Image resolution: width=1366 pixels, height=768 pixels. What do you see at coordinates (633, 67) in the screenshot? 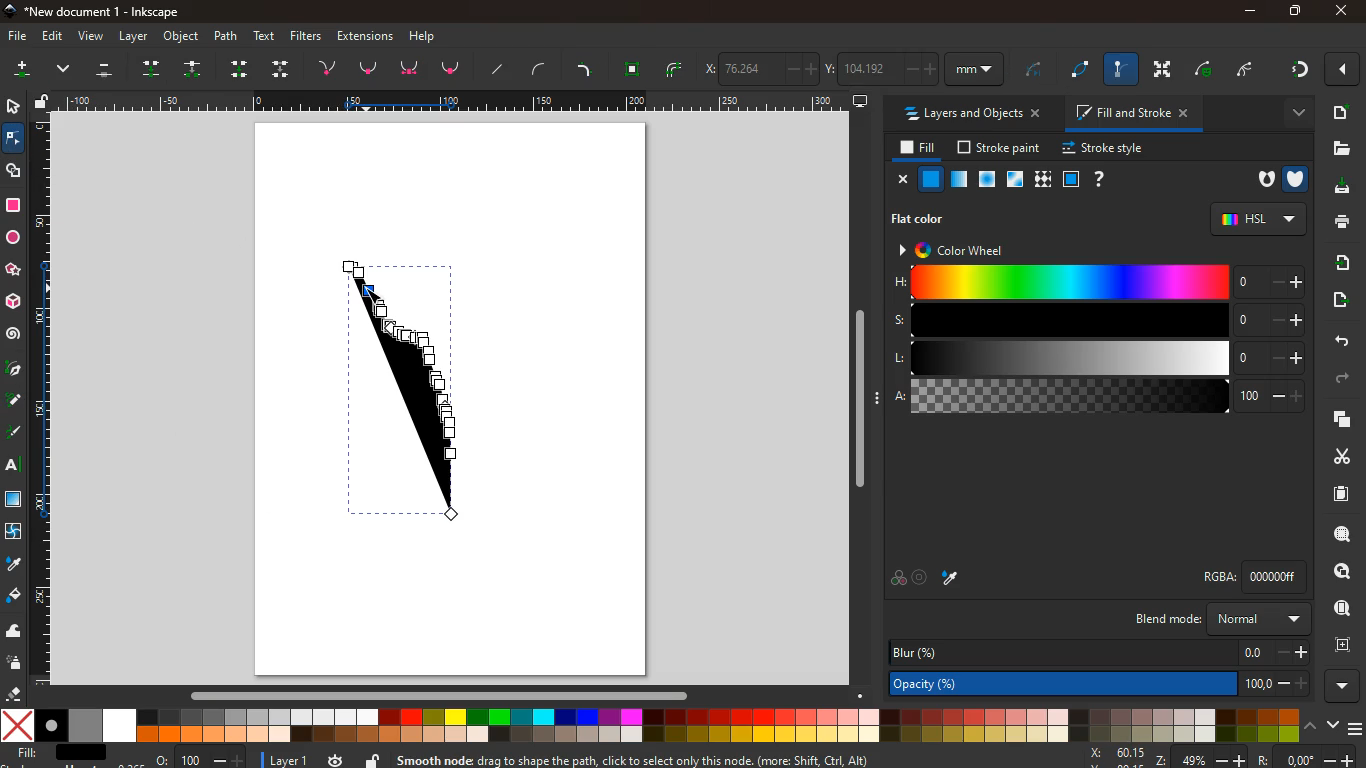
I see `waure` at bounding box center [633, 67].